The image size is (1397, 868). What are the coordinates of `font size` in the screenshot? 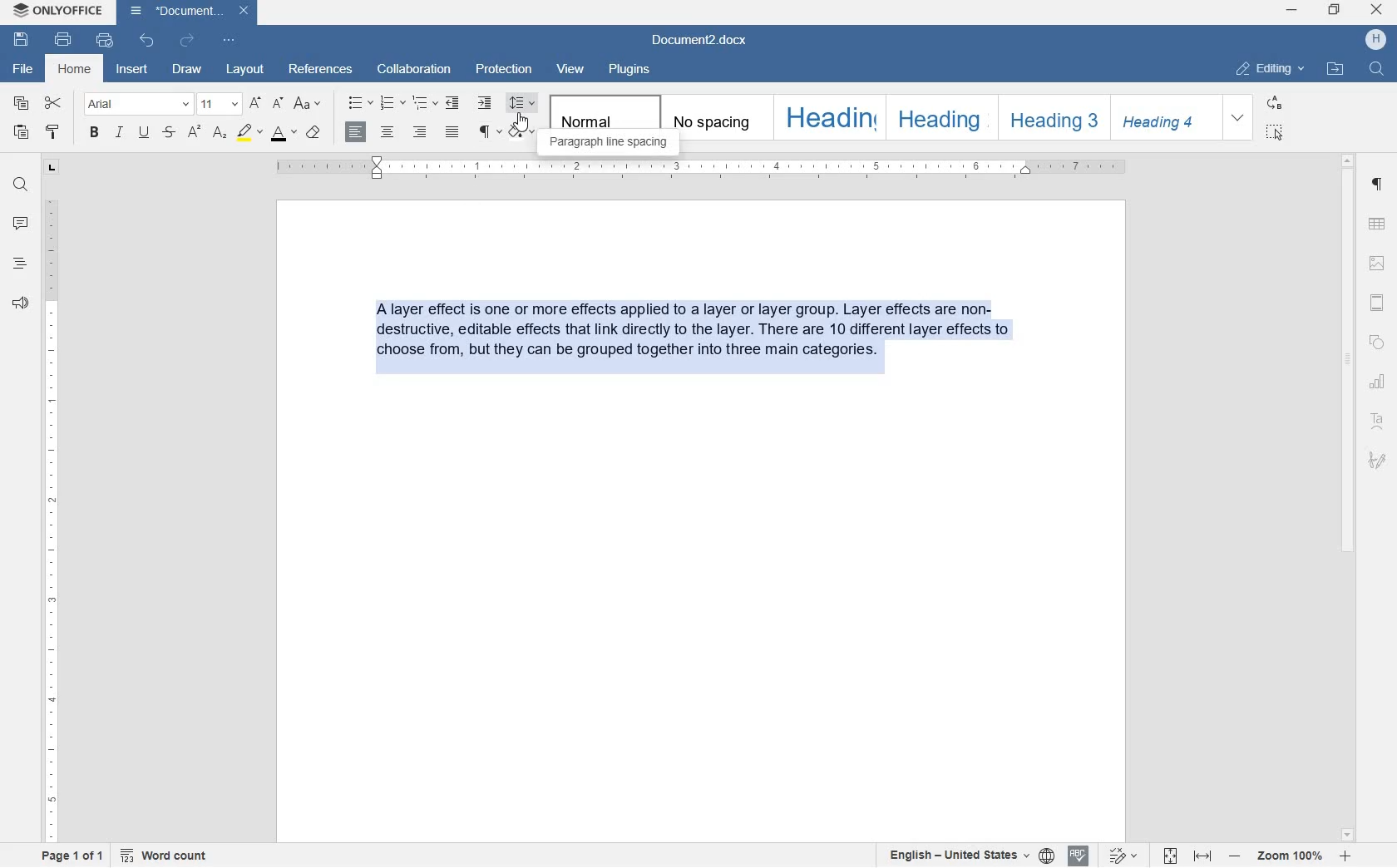 It's located at (220, 104).